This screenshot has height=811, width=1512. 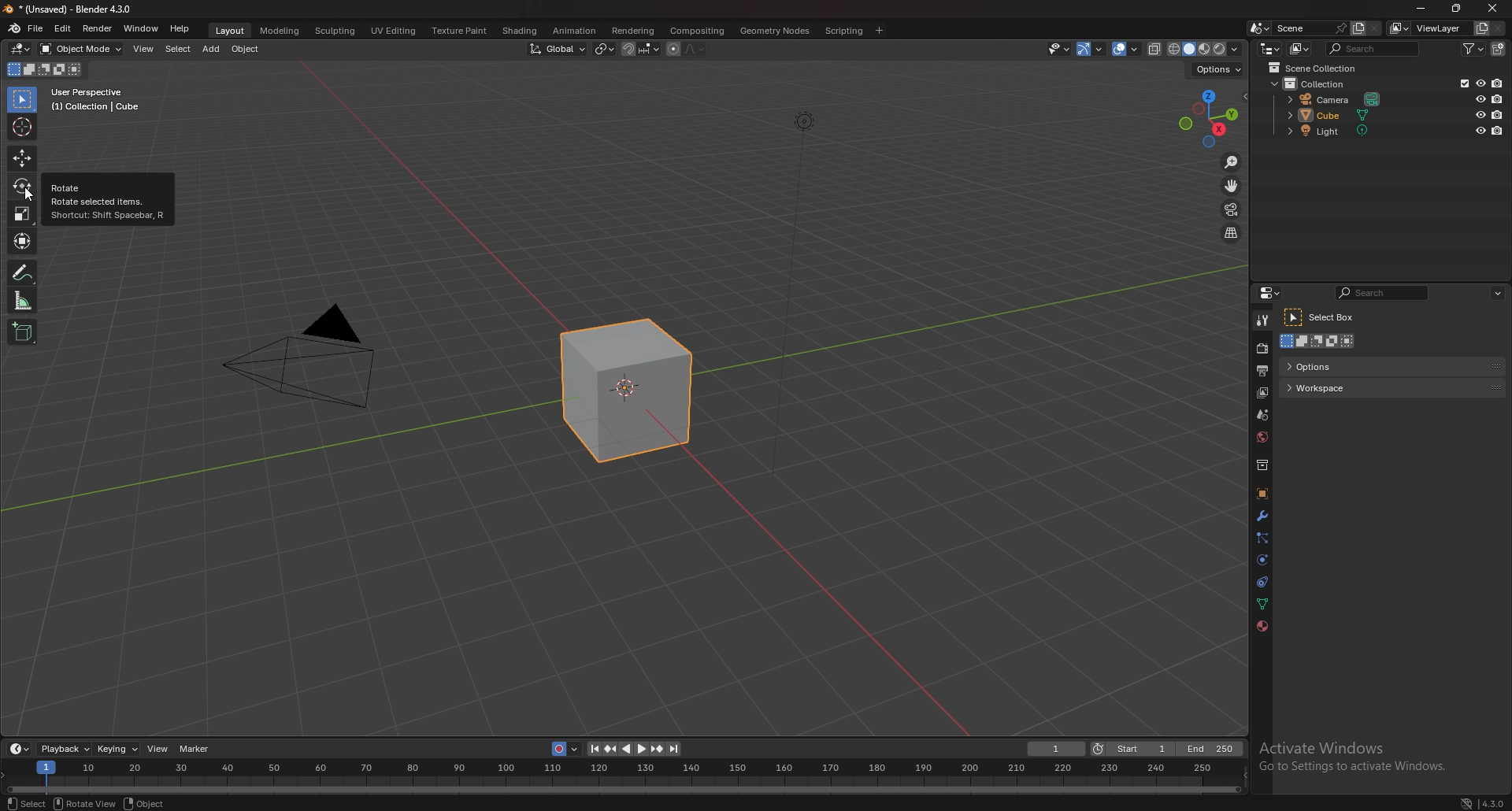 I want to click on output, so click(x=1262, y=370).